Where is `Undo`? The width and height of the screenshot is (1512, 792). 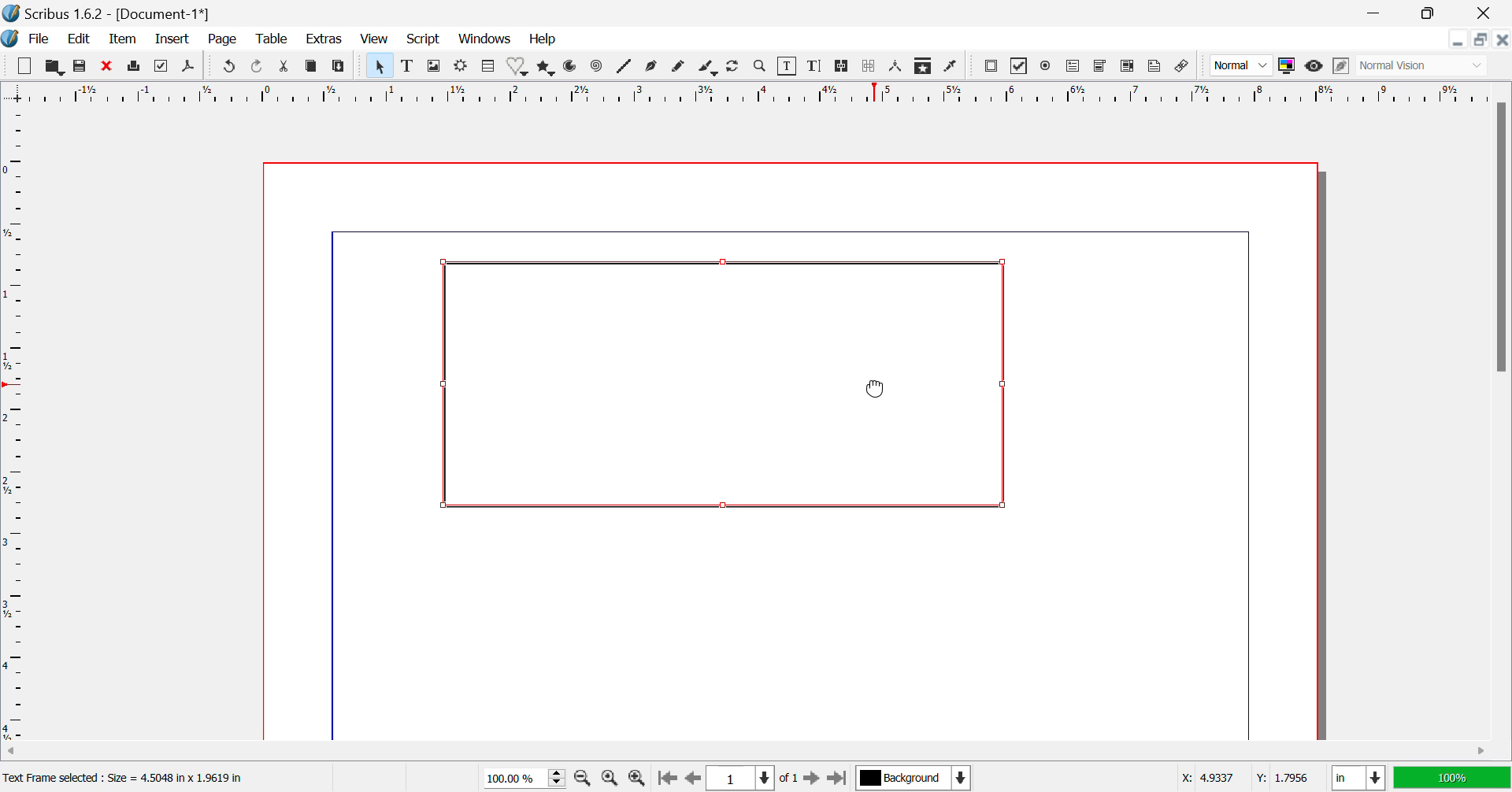
Undo is located at coordinates (228, 68).